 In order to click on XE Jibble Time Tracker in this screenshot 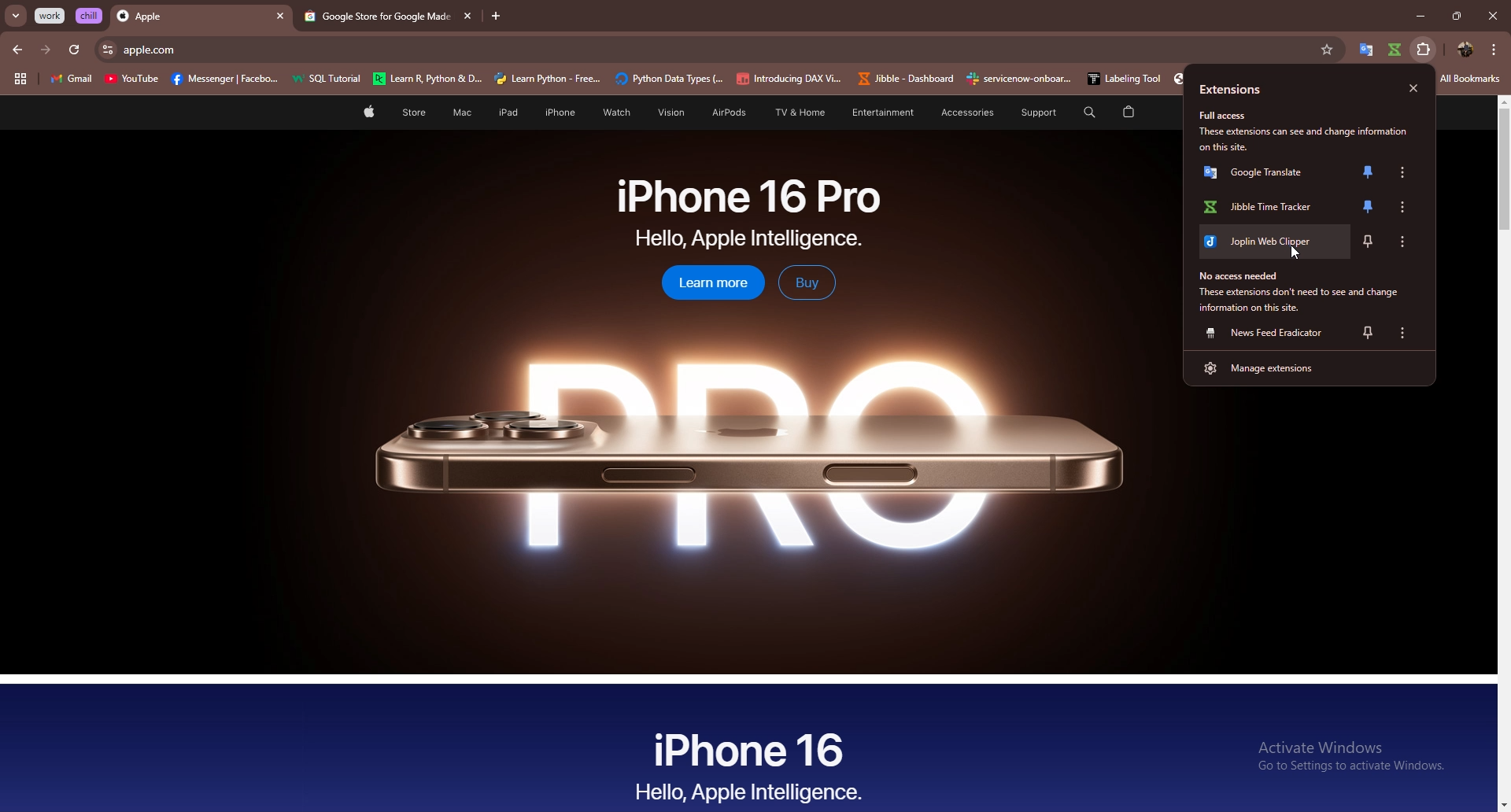, I will do `click(1261, 209)`.